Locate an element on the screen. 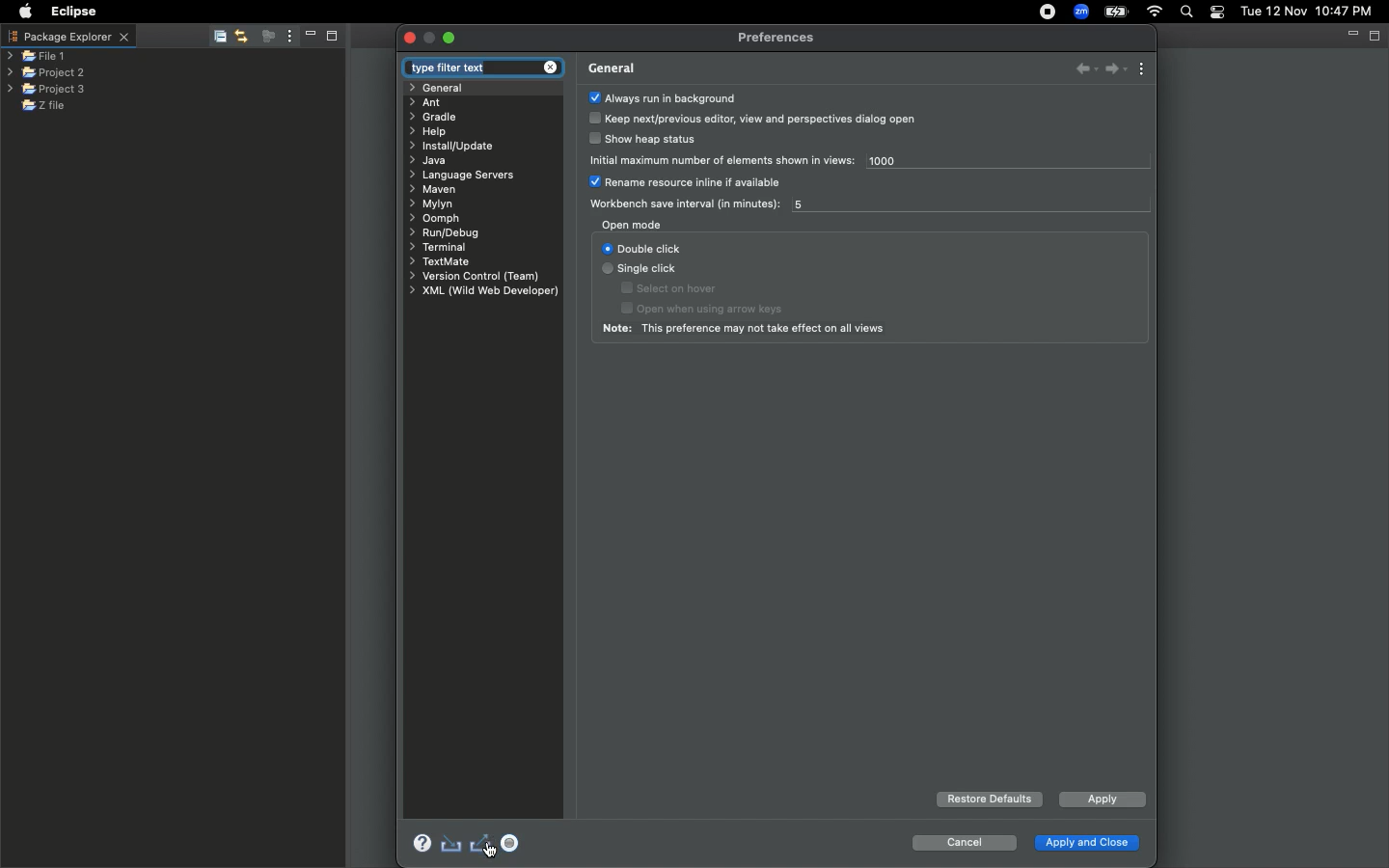 The width and height of the screenshot is (1389, 868). Version control (team) is located at coordinates (471, 276).